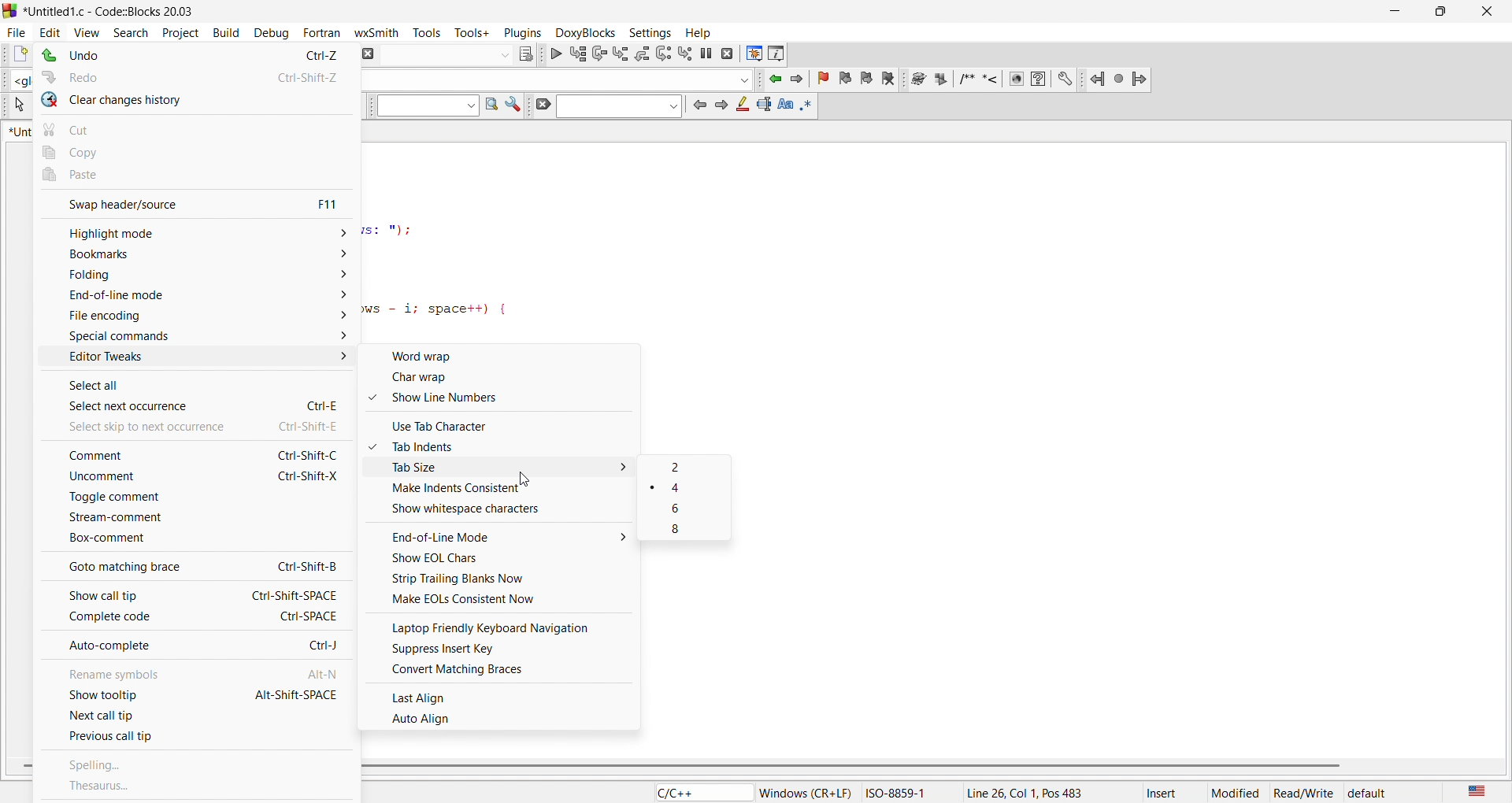 Image resolution: width=1512 pixels, height=803 pixels. Describe the element at coordinates (1306, 791) in the screenshot. I see `read/write` at that location.